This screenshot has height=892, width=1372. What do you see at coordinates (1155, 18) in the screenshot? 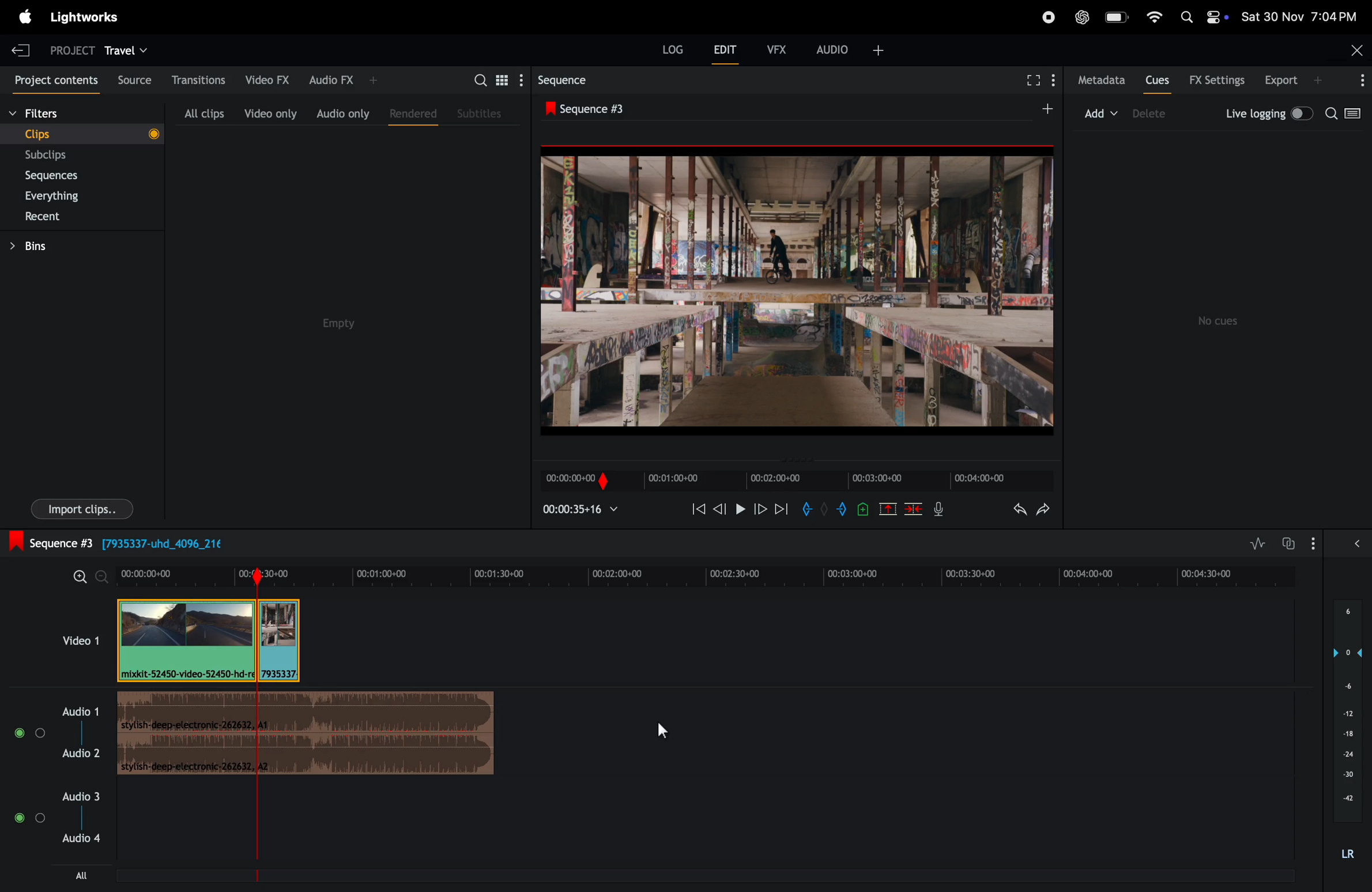
I see `wifi` at bounding box center [1155, 18].